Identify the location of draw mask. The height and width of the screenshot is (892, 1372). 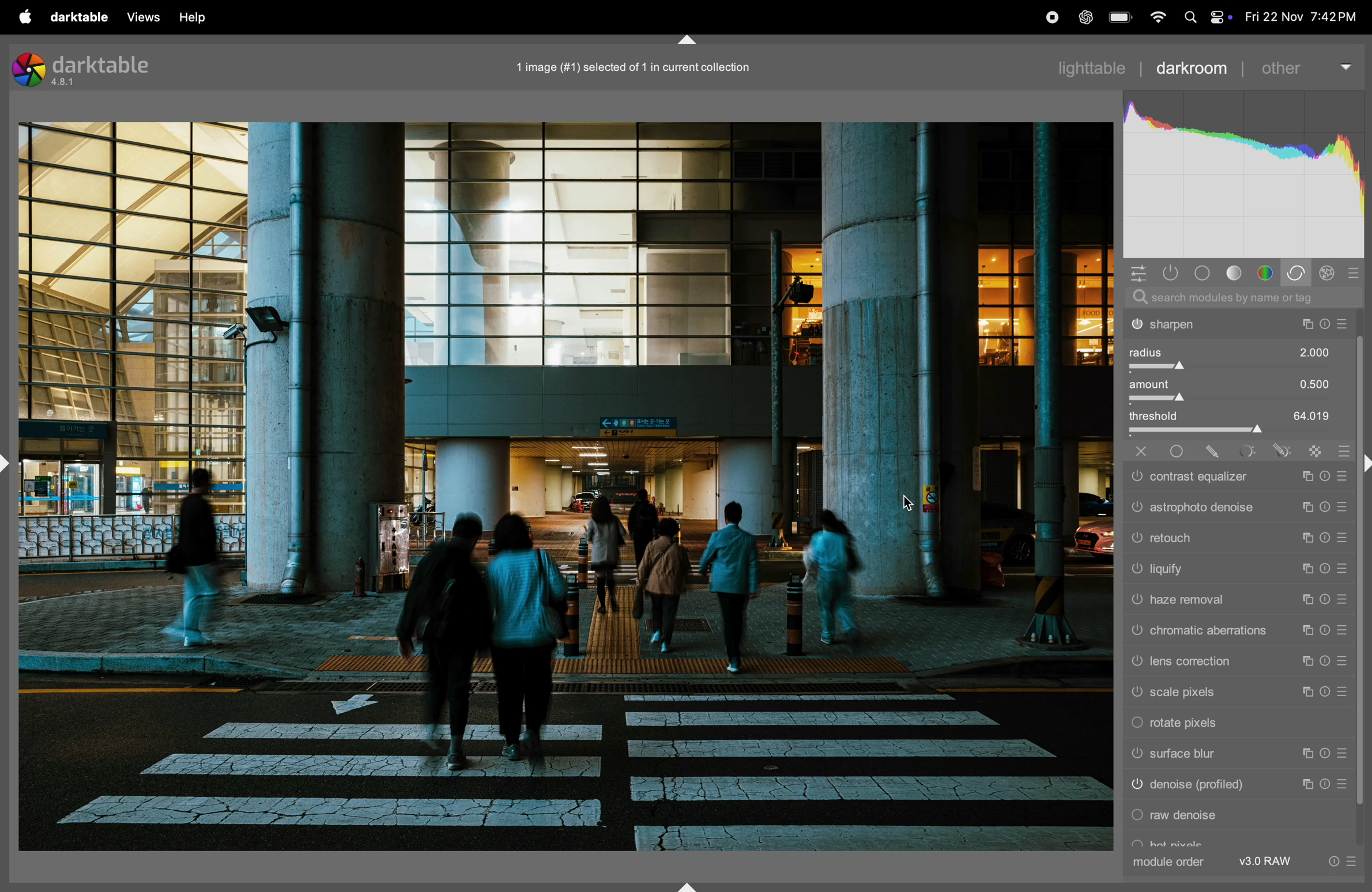
(1212, 451).